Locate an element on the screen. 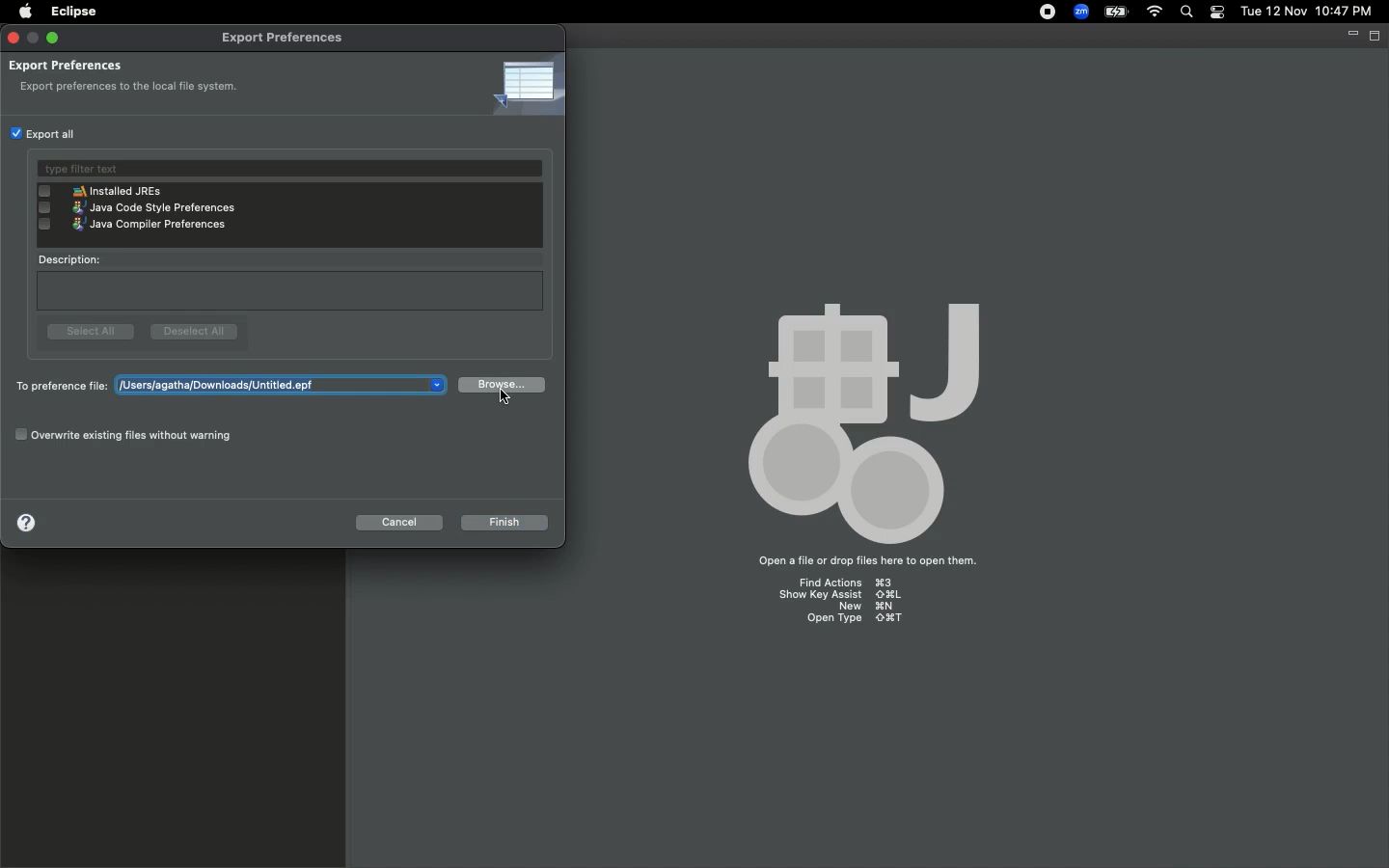 This screenshot has width=1389, height=868. Cancel is located at coordinates (398, 523).